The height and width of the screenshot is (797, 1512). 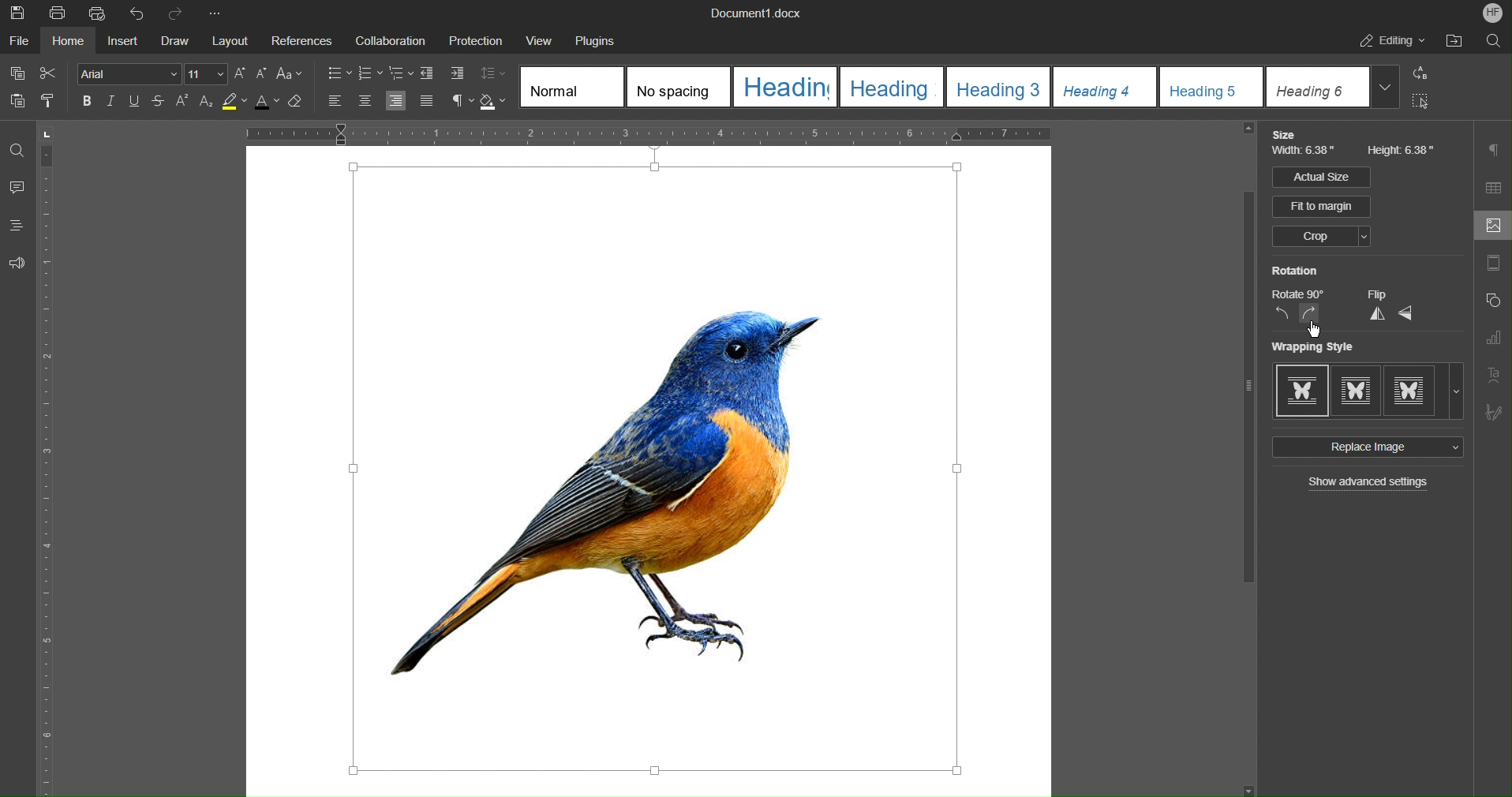 I want to click on Strikethrough, so click(x=159, y=103).